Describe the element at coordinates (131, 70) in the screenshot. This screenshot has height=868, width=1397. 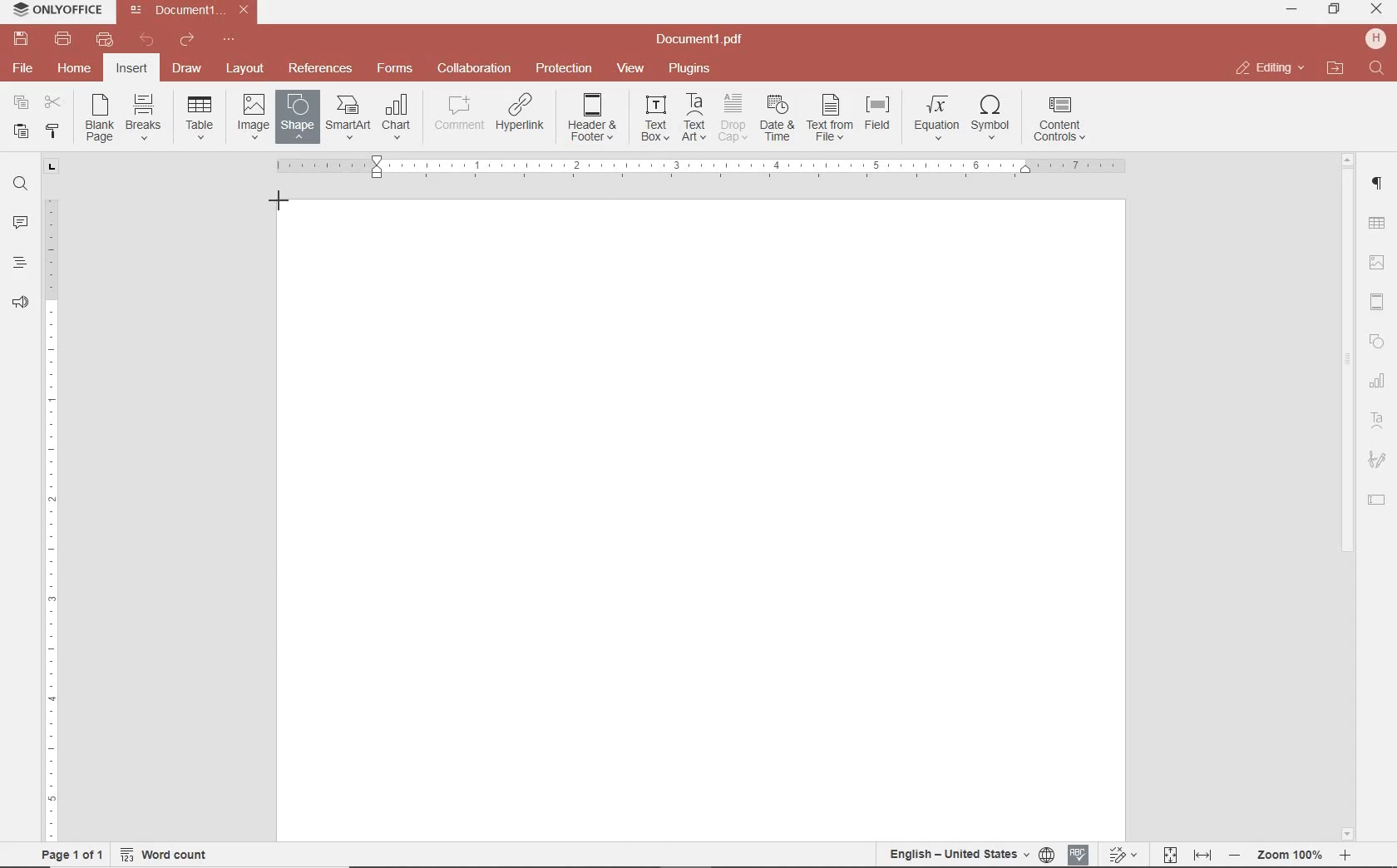
I see `insert` at that location.